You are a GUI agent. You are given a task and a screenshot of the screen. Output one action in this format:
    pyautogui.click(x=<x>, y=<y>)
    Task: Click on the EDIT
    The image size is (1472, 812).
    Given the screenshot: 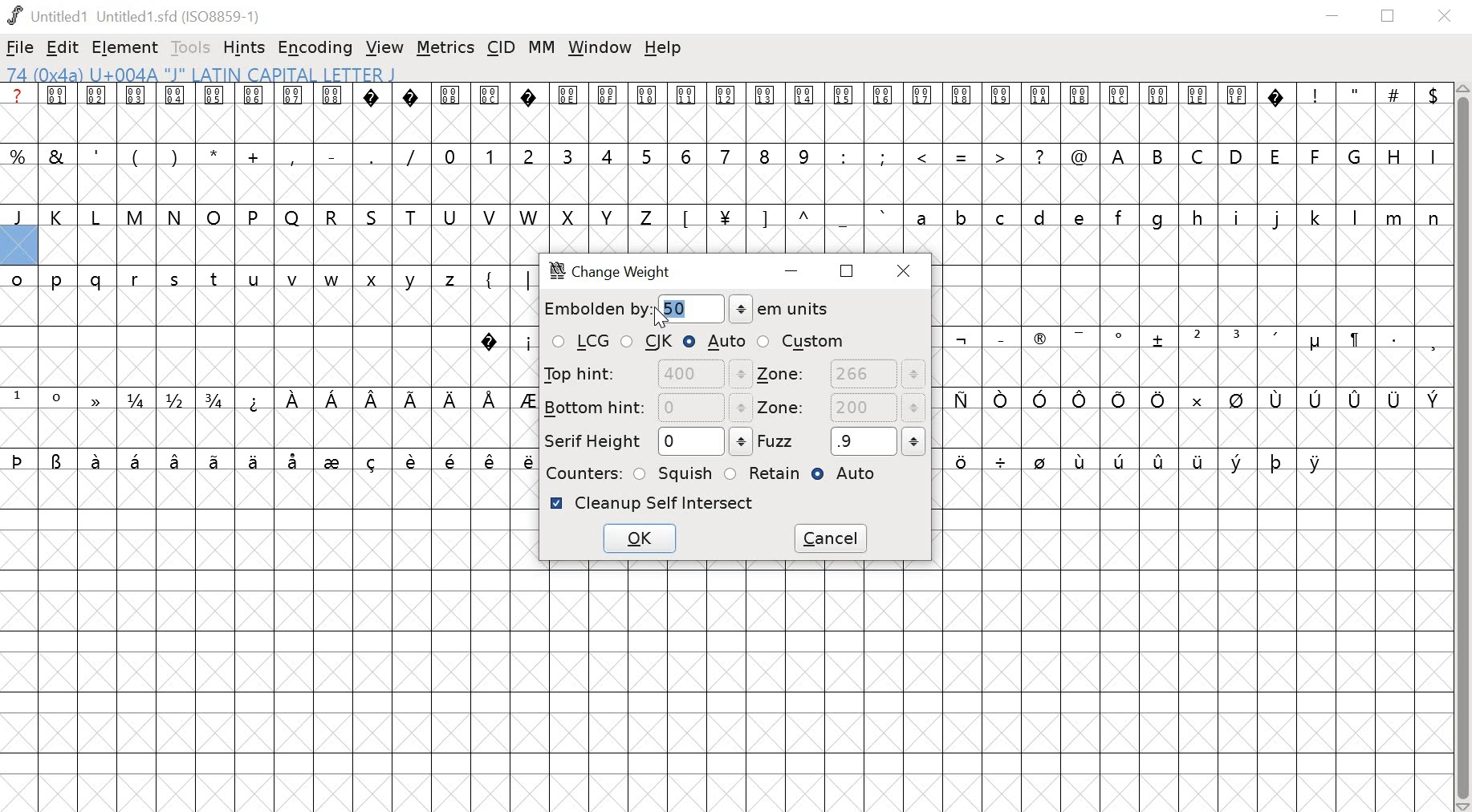 What is the action you would take?
    pyautogui.click(x=63, y=49)
    